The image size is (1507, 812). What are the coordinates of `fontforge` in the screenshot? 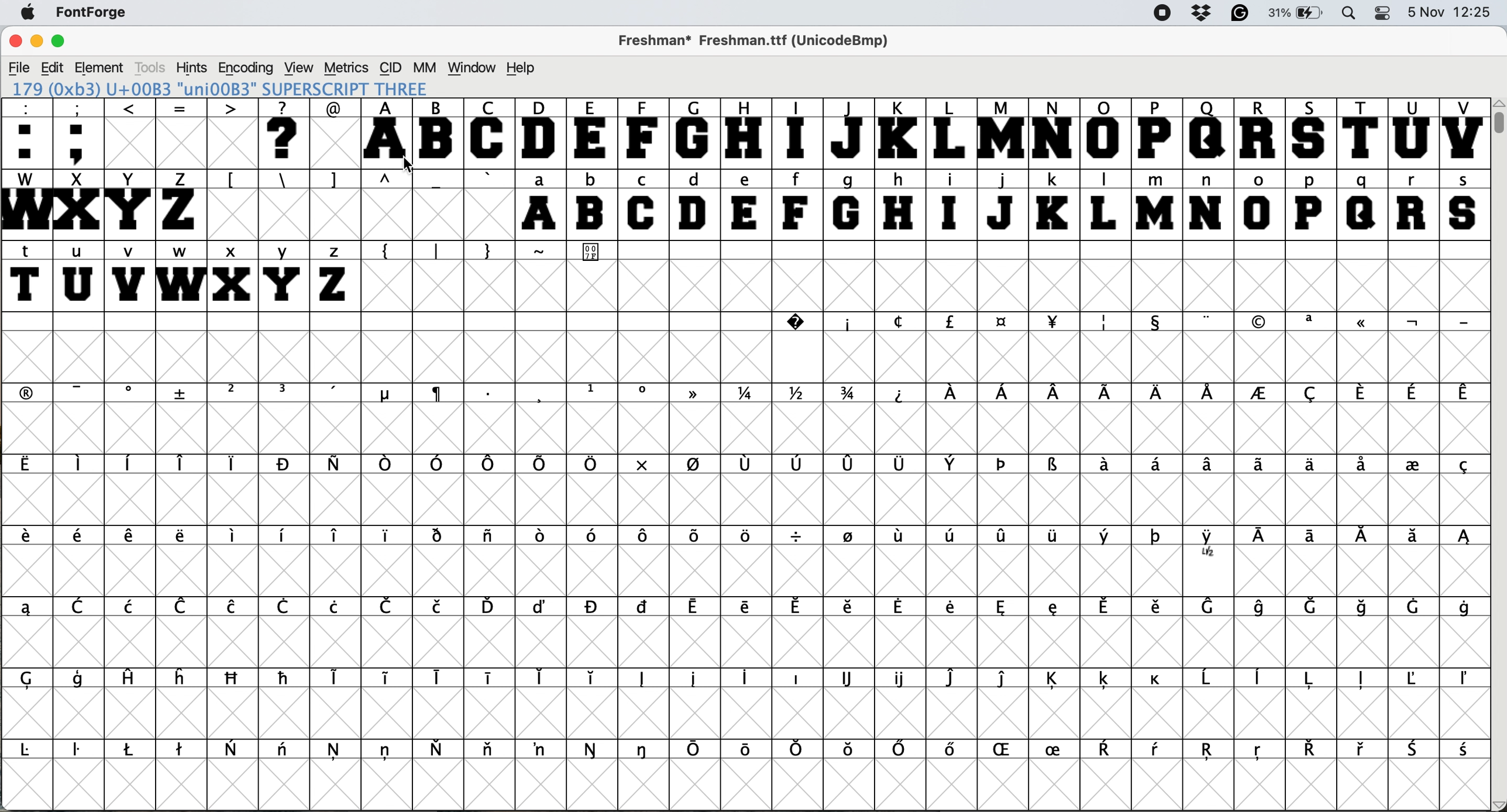 It's located at (88, 13).